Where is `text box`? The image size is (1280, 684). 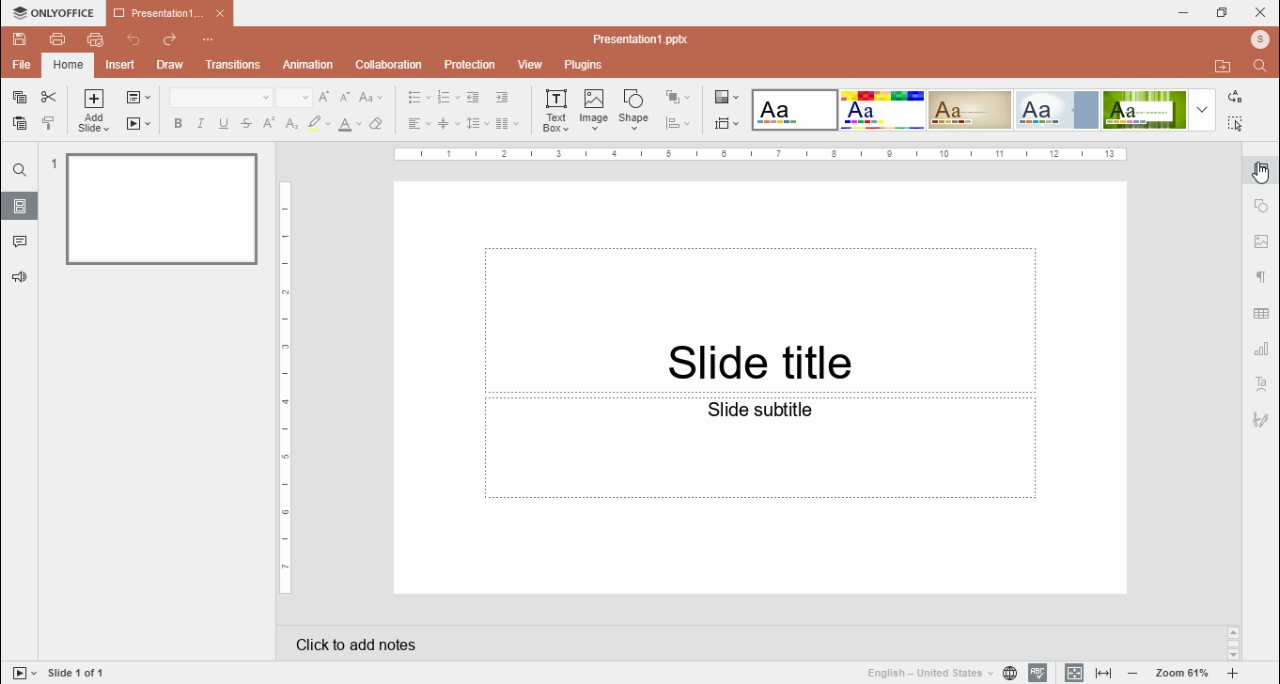 text box is located at coordinates (758, 321).